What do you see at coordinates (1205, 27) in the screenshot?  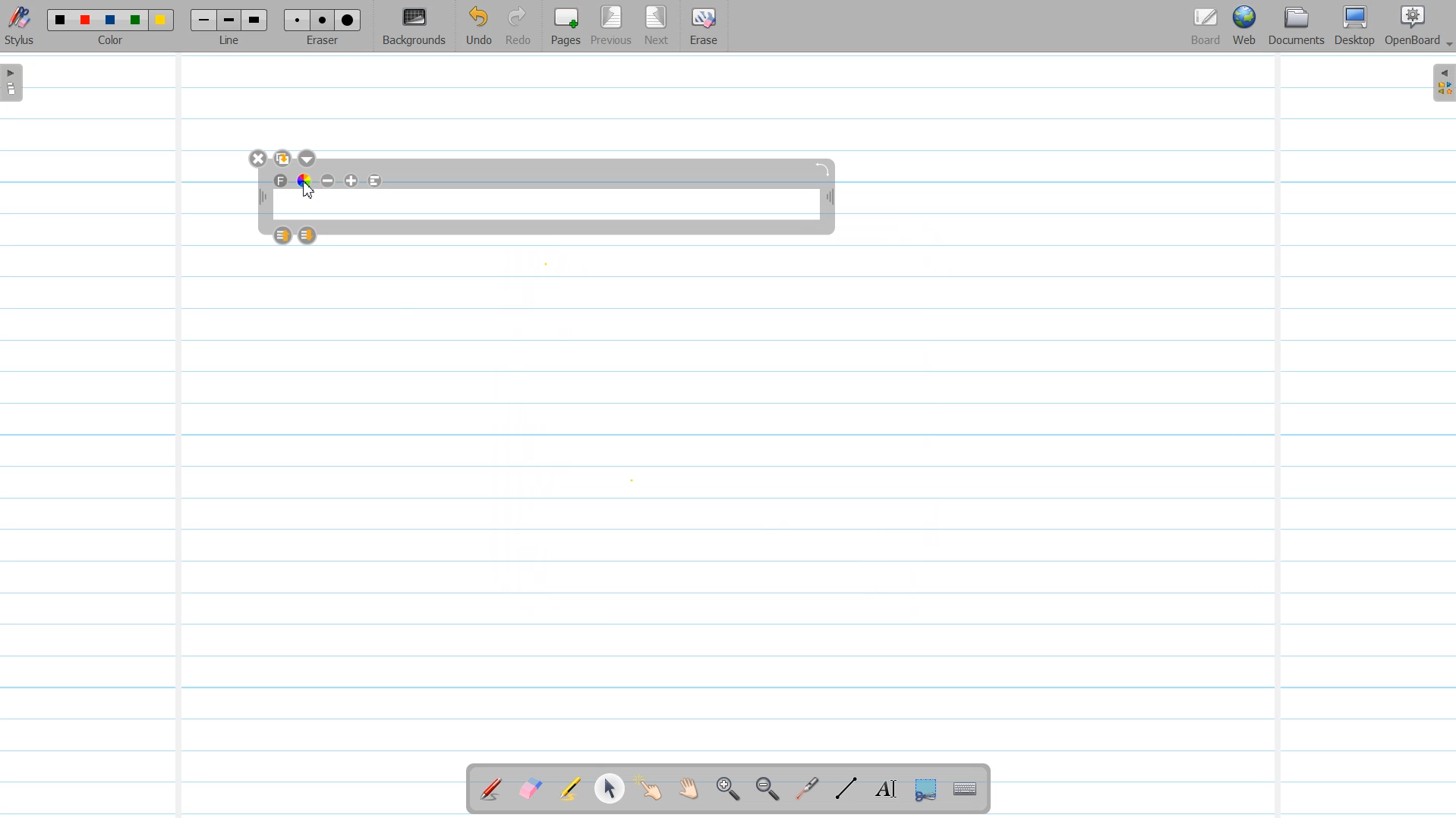 I see `Board` at bounding box center [1205, 27].